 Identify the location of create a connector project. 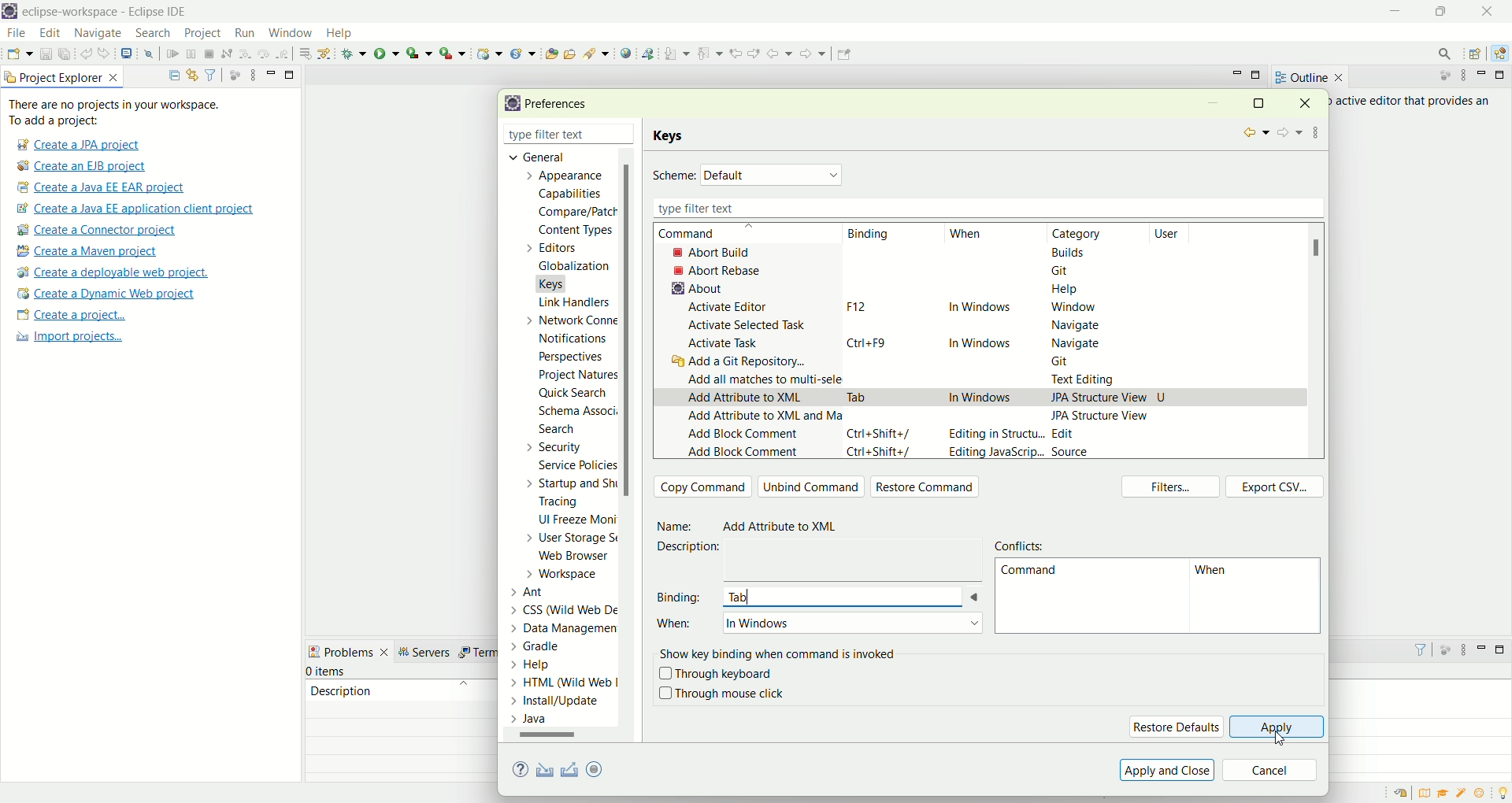
(94, 231).